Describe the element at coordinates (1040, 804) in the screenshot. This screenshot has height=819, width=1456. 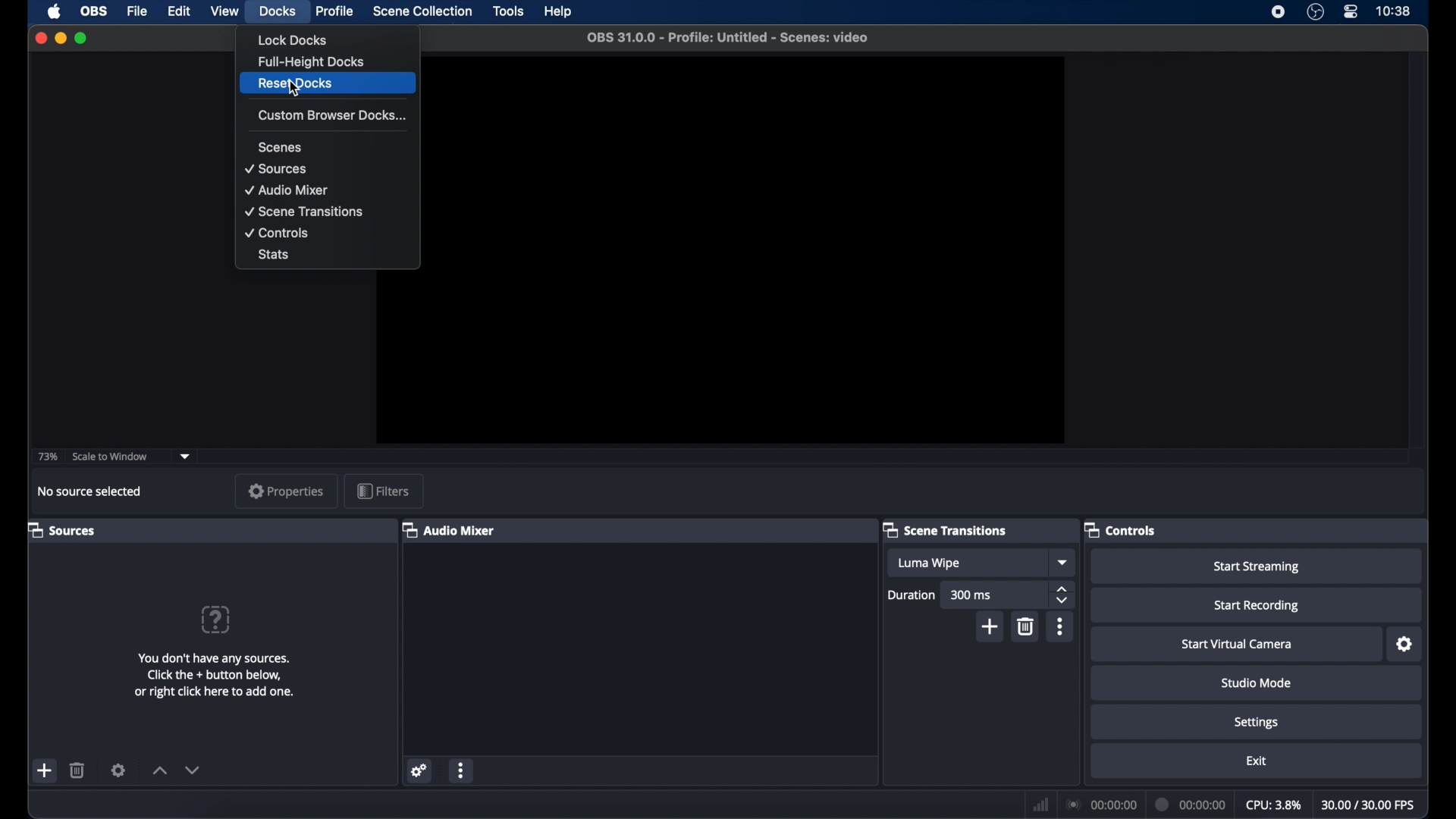
I see `network` at that location.